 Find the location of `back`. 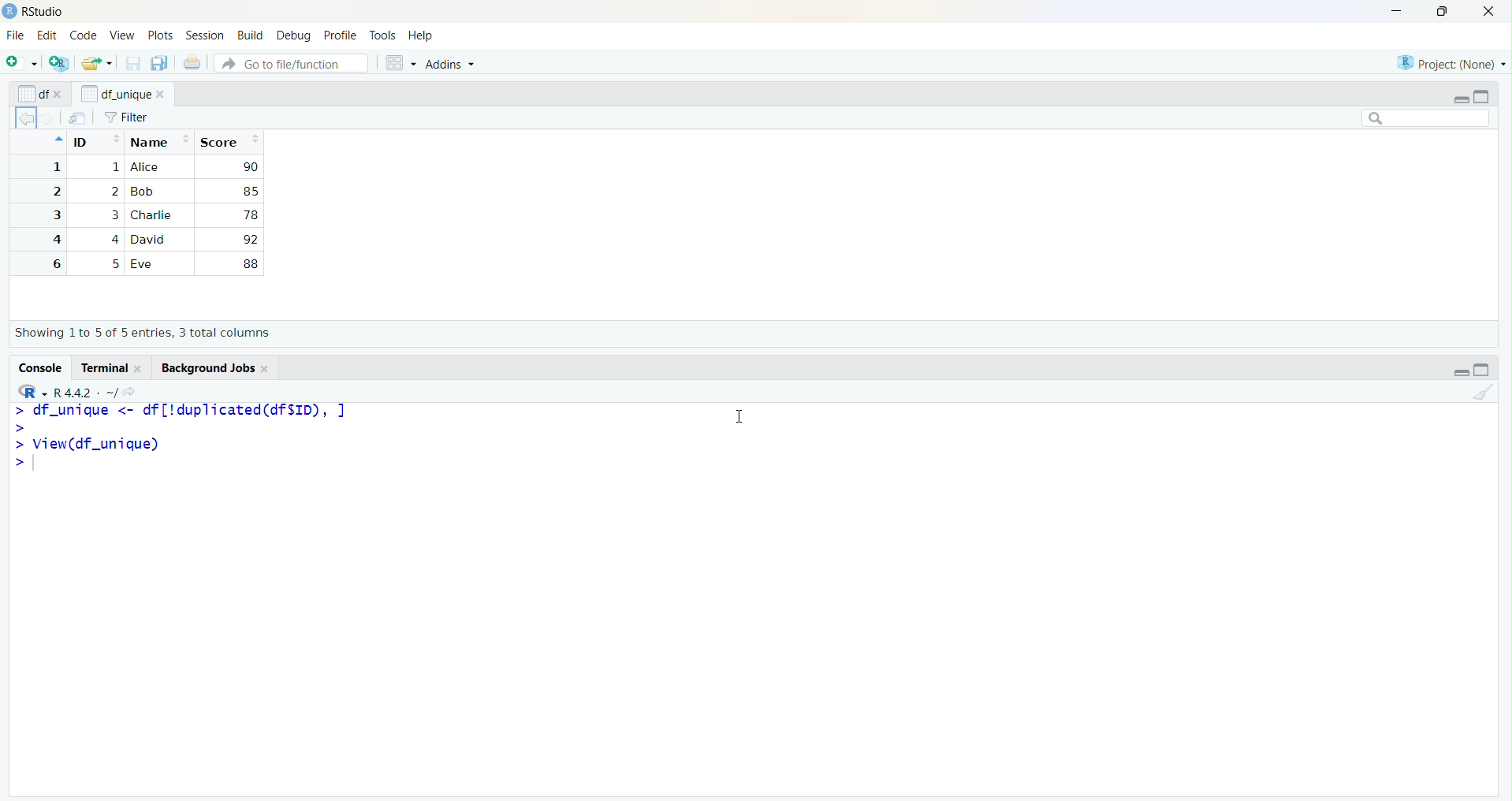

back is located at coordinates (26, 119).